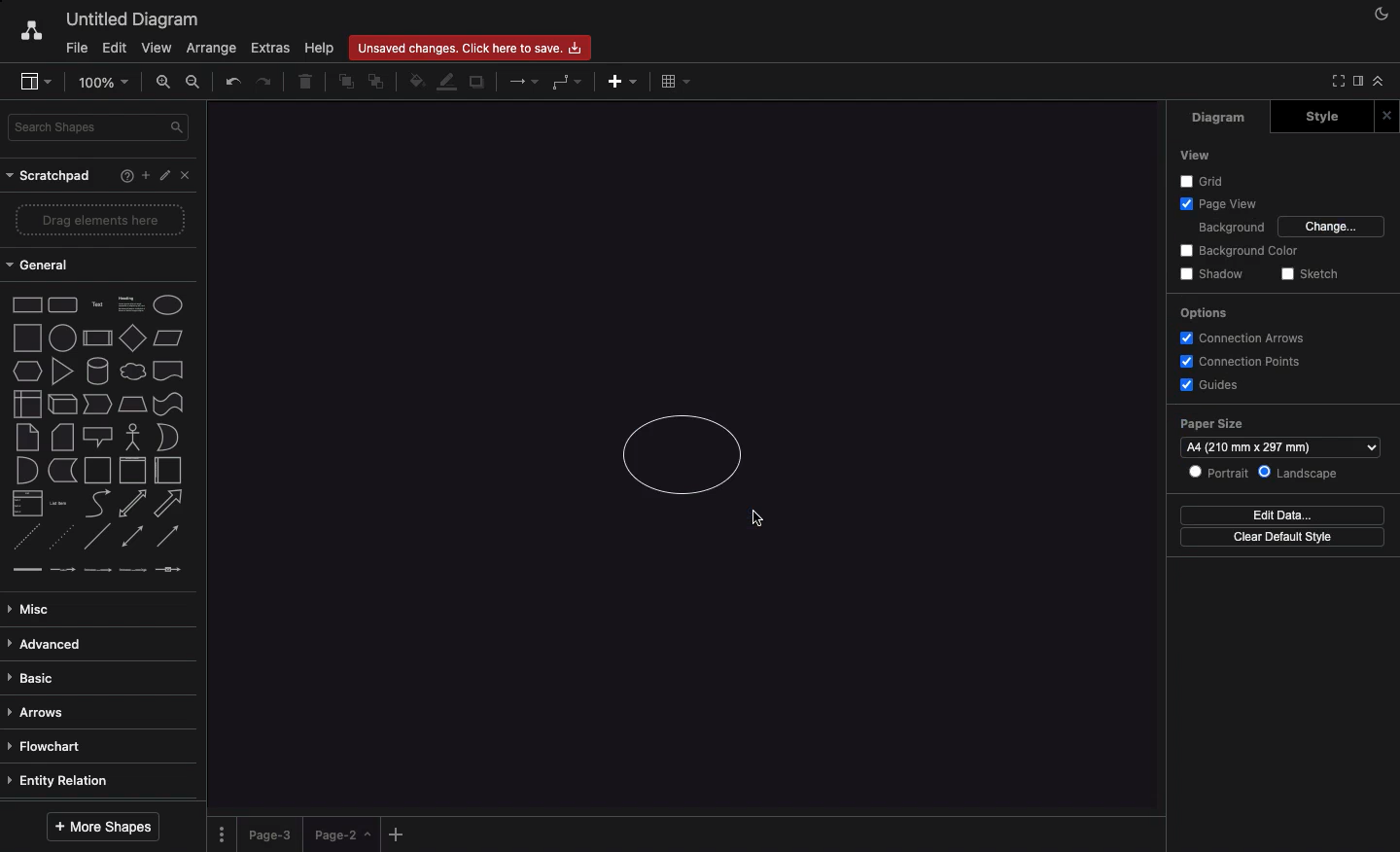 Image resolution: width=1400 pixels, height=852 pixels. What do you see at coordinates (75, 47) in the screenshot?
I see `File` at bounding box center [75, 47].